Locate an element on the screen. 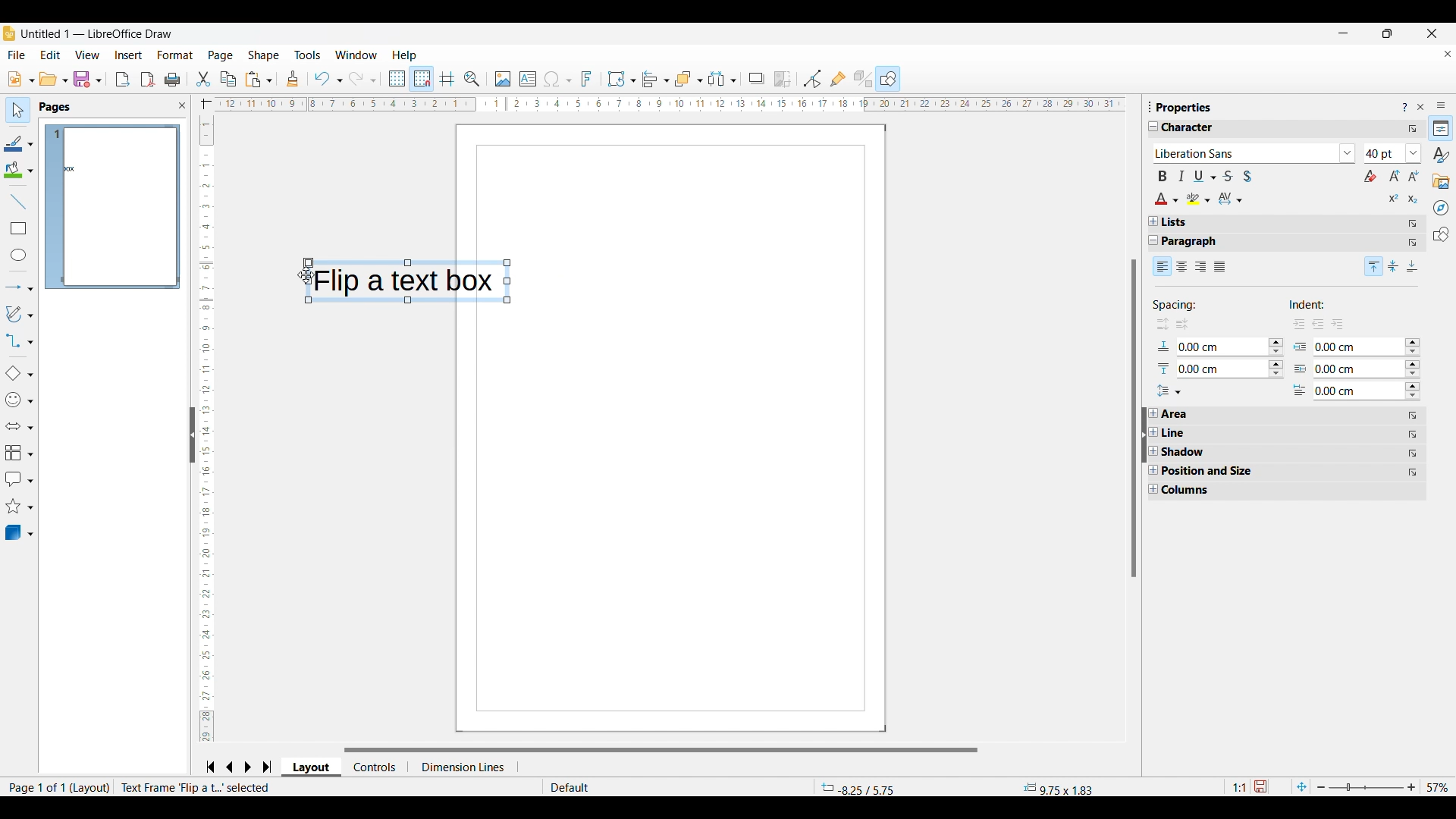 This screenshot has width=1456, height=819. View menu is located at coordinates (87, 55).